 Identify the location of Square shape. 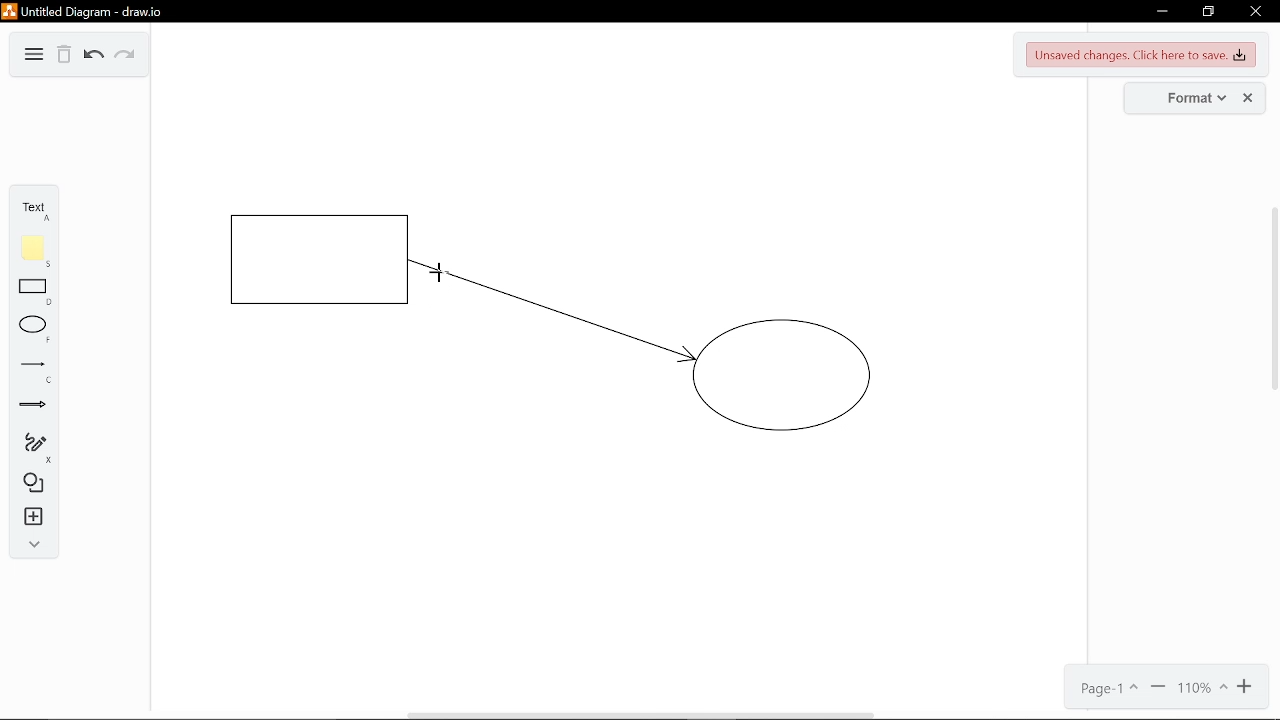
(319, 258).